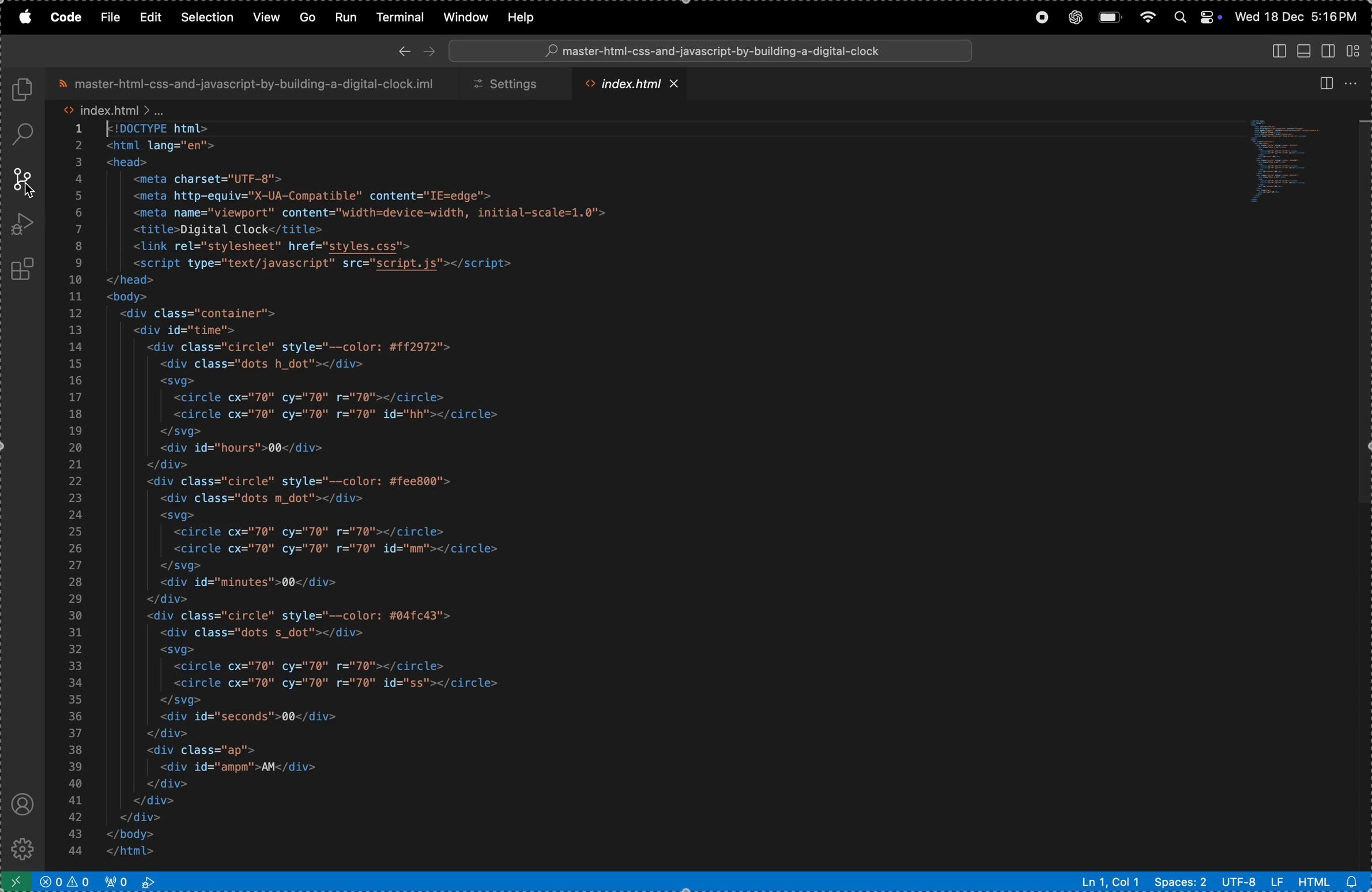  Describe the element at coordinates (163, 783) in the screenshot. I see `</div>` at that location.